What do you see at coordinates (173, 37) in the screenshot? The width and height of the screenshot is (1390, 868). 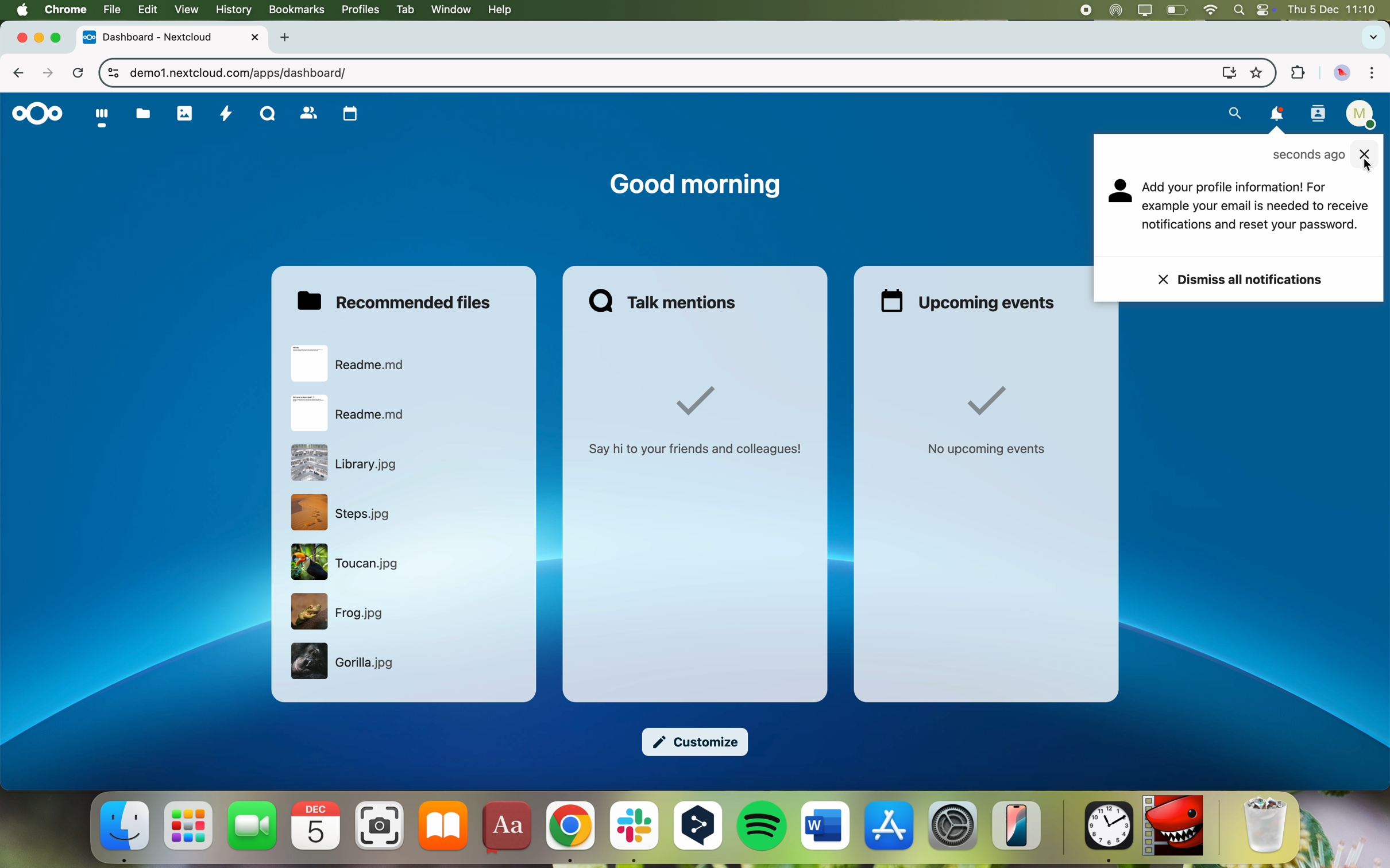 I see `tab` at bounding box center [173, 37].